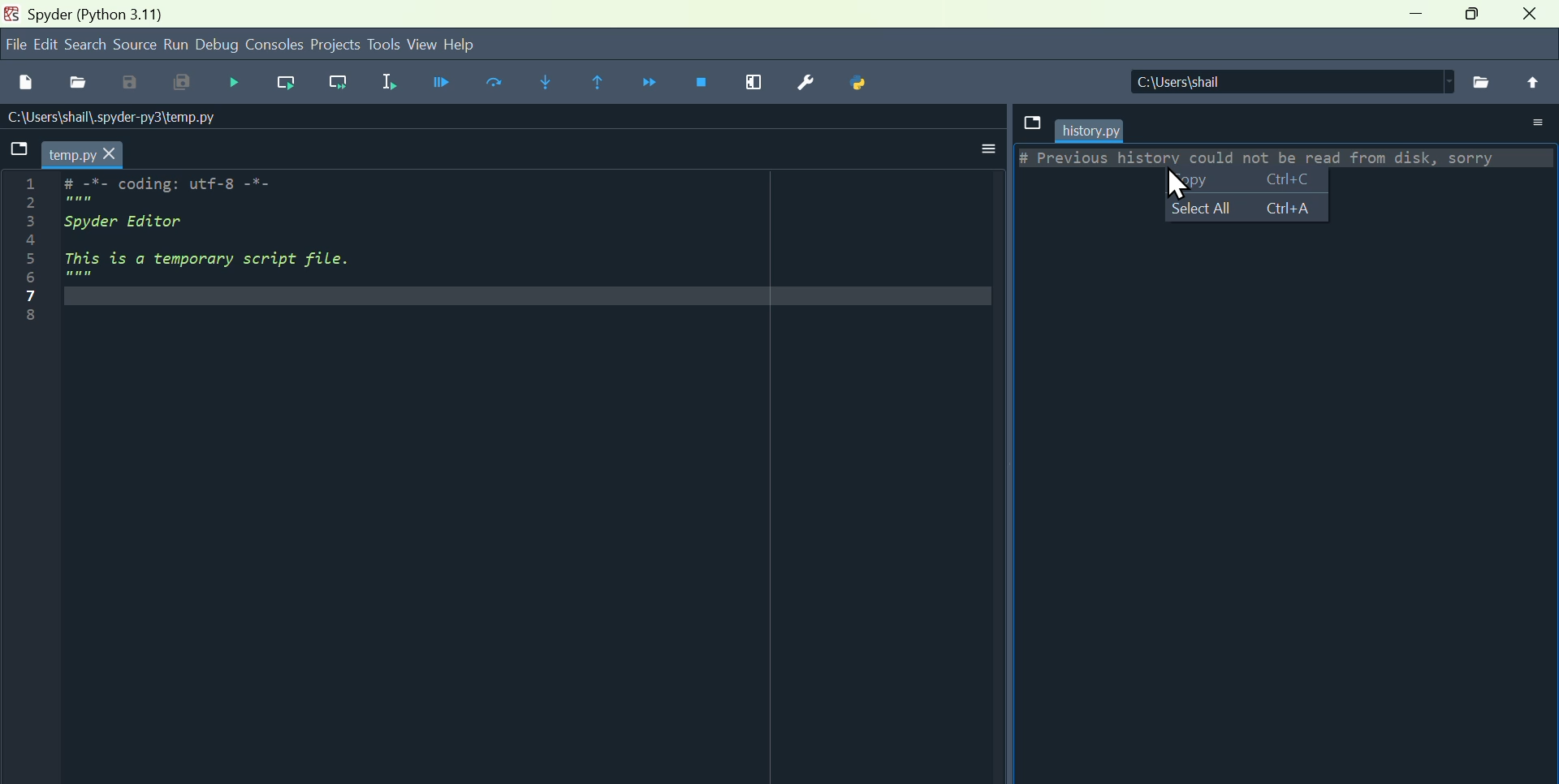  Describe the element at coordinates (235, 83) in the screenshot. I see `` at that location.